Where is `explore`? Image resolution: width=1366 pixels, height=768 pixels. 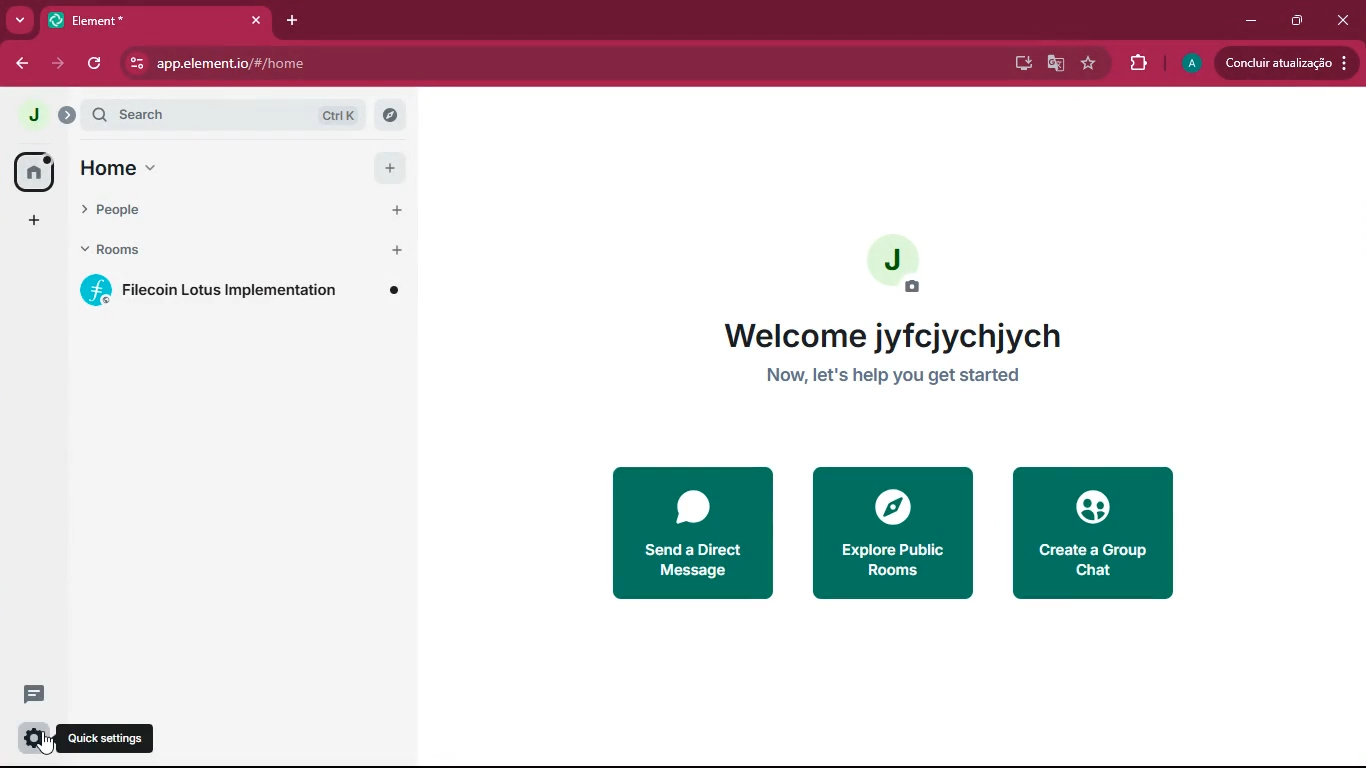
explore is located at coordinates (900, 542).